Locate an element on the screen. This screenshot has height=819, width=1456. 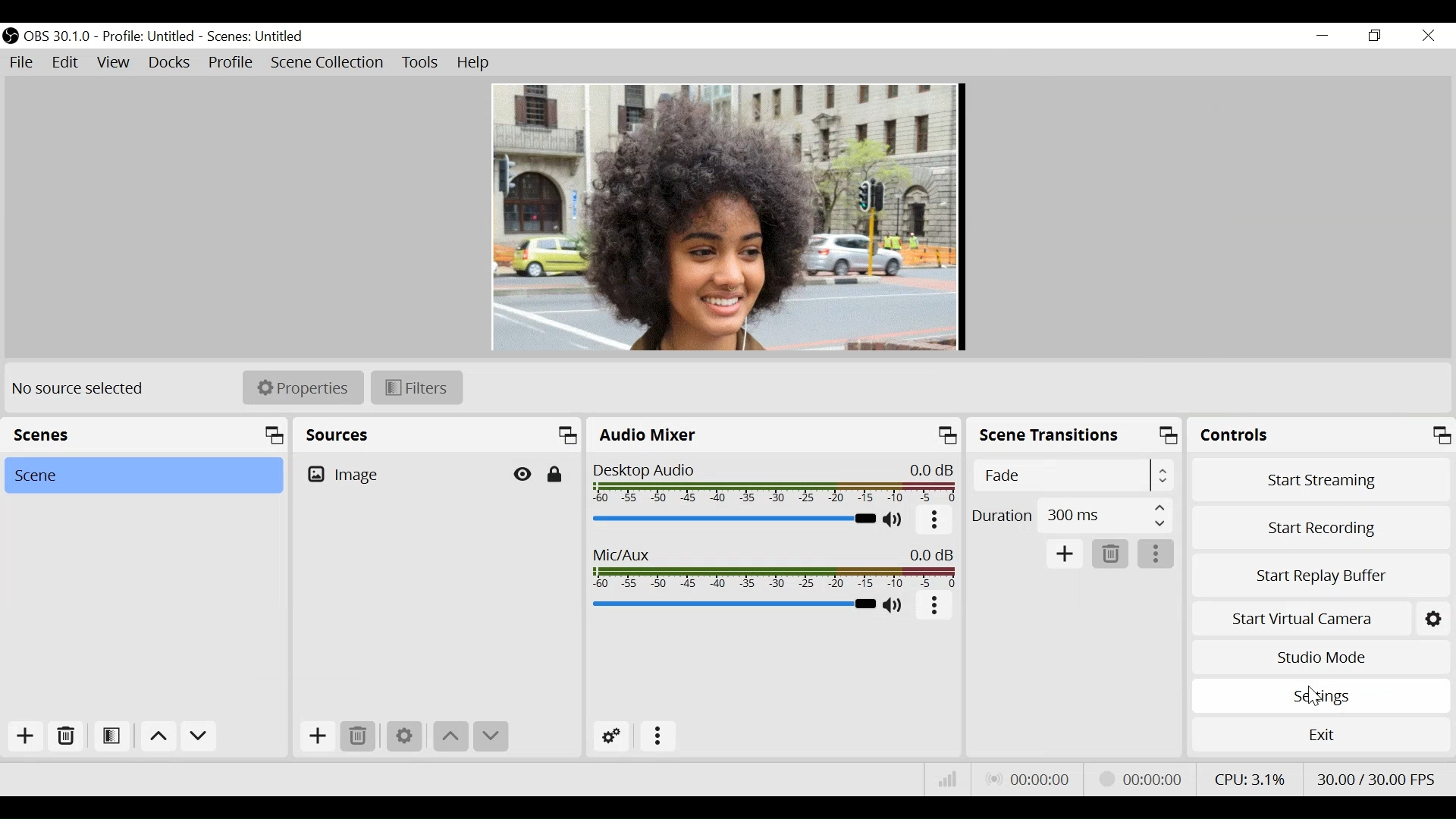
Move up is located at coordinates (158, 737).